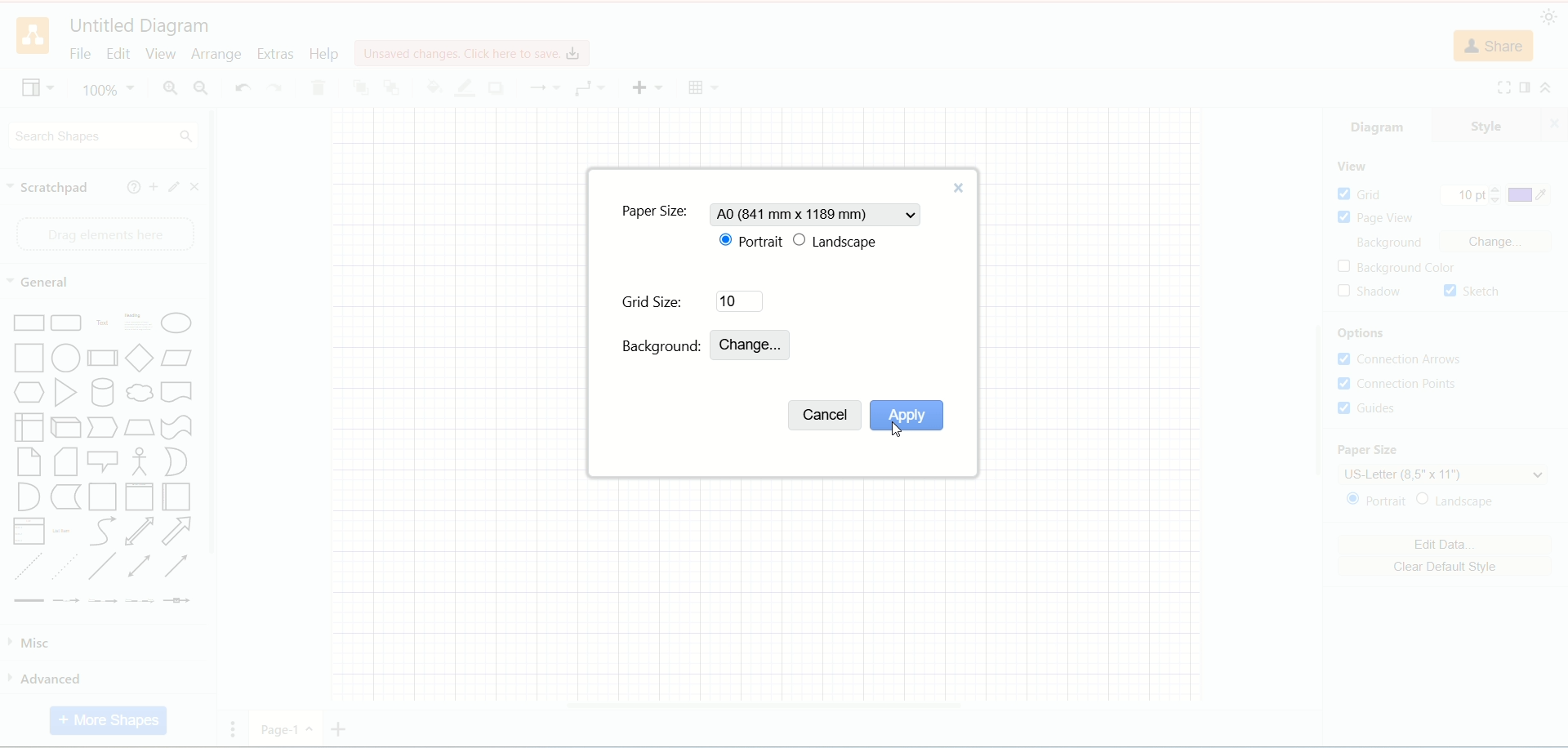 This screenshot has width=1568, height=748. I want to click on connection points, so click(1397, 383).